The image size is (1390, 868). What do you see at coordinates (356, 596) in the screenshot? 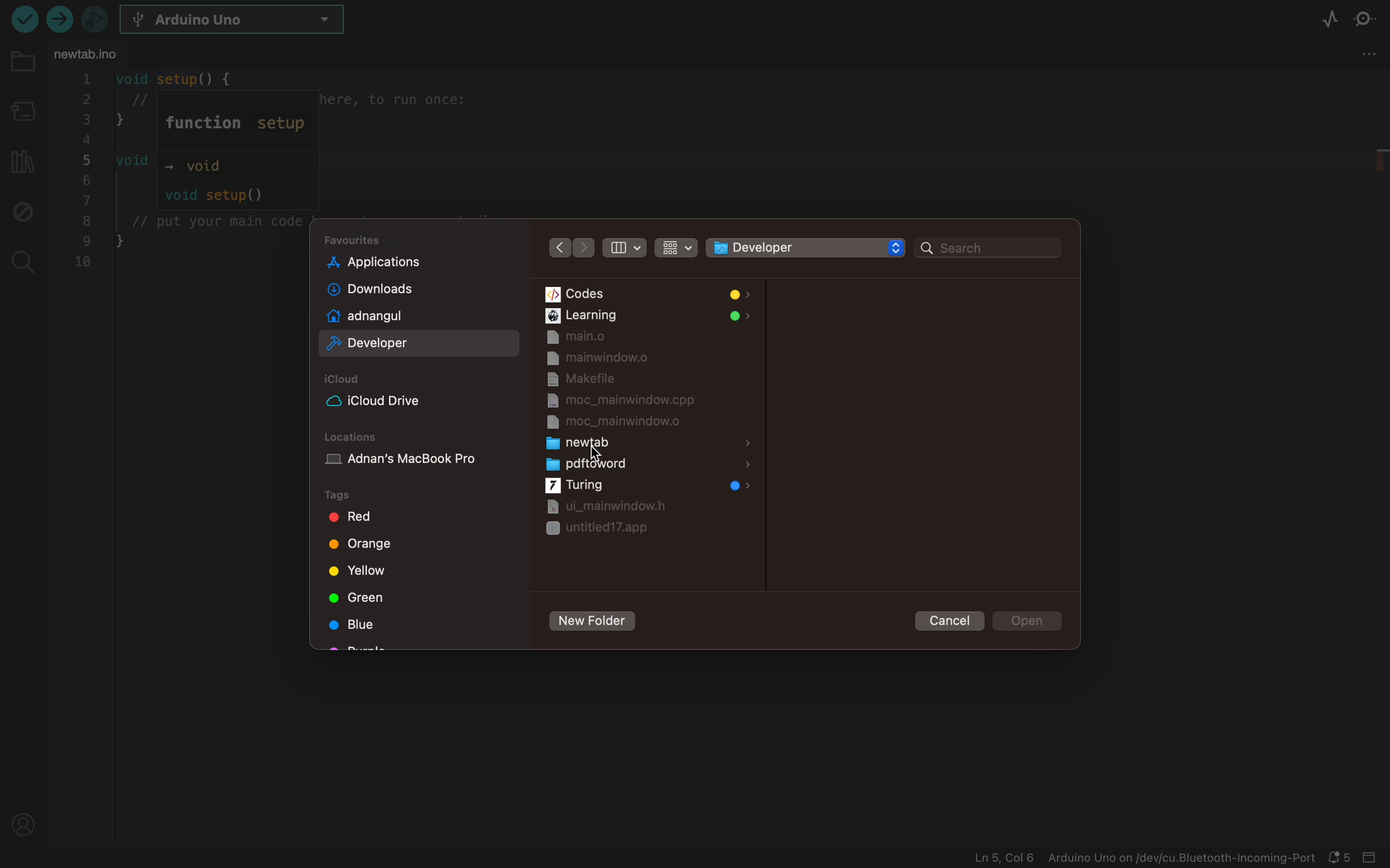
I see `tags` at bounding box center [356, 596].